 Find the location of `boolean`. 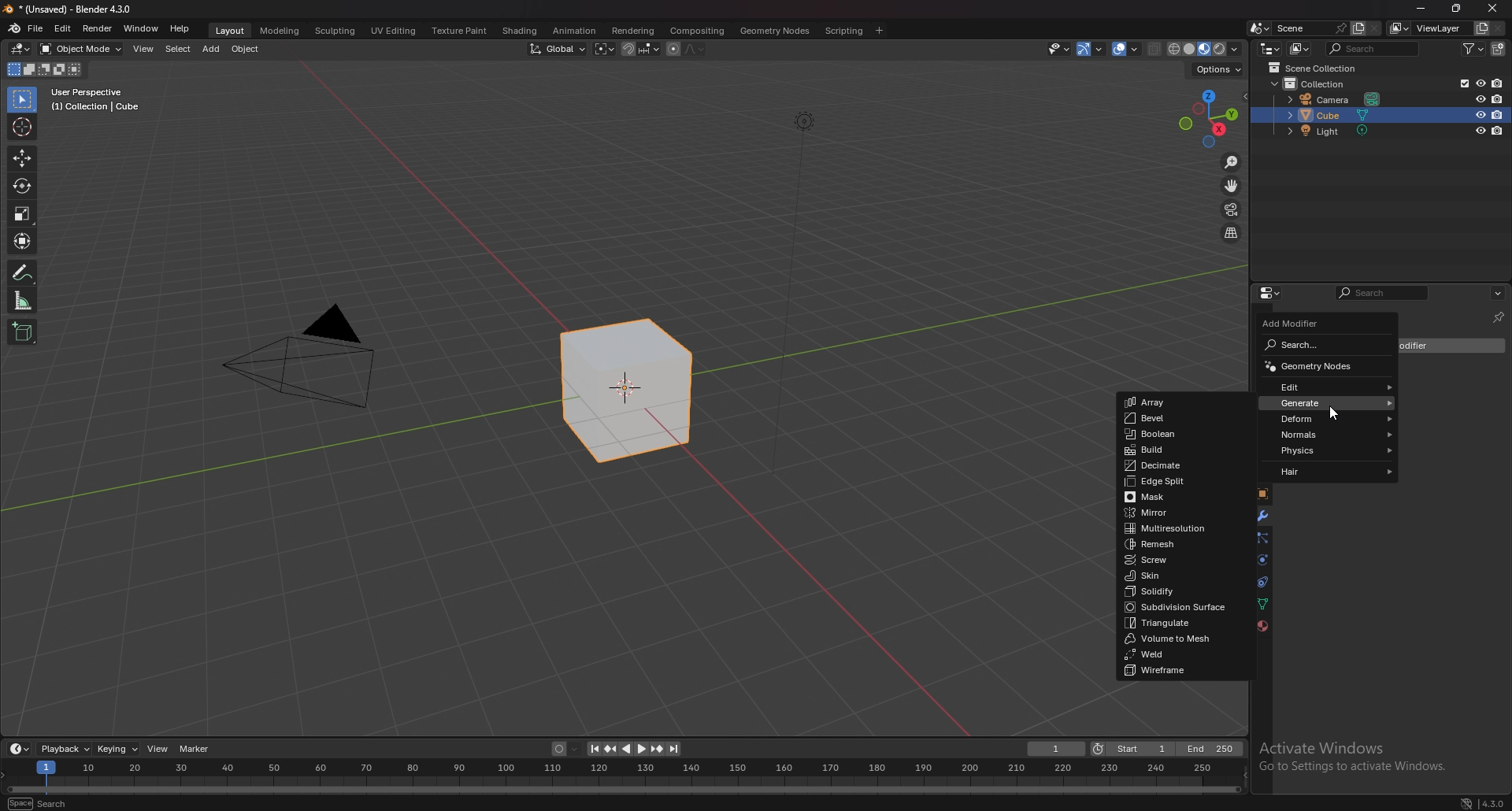

boolean is located at coordinates (1184, 435).